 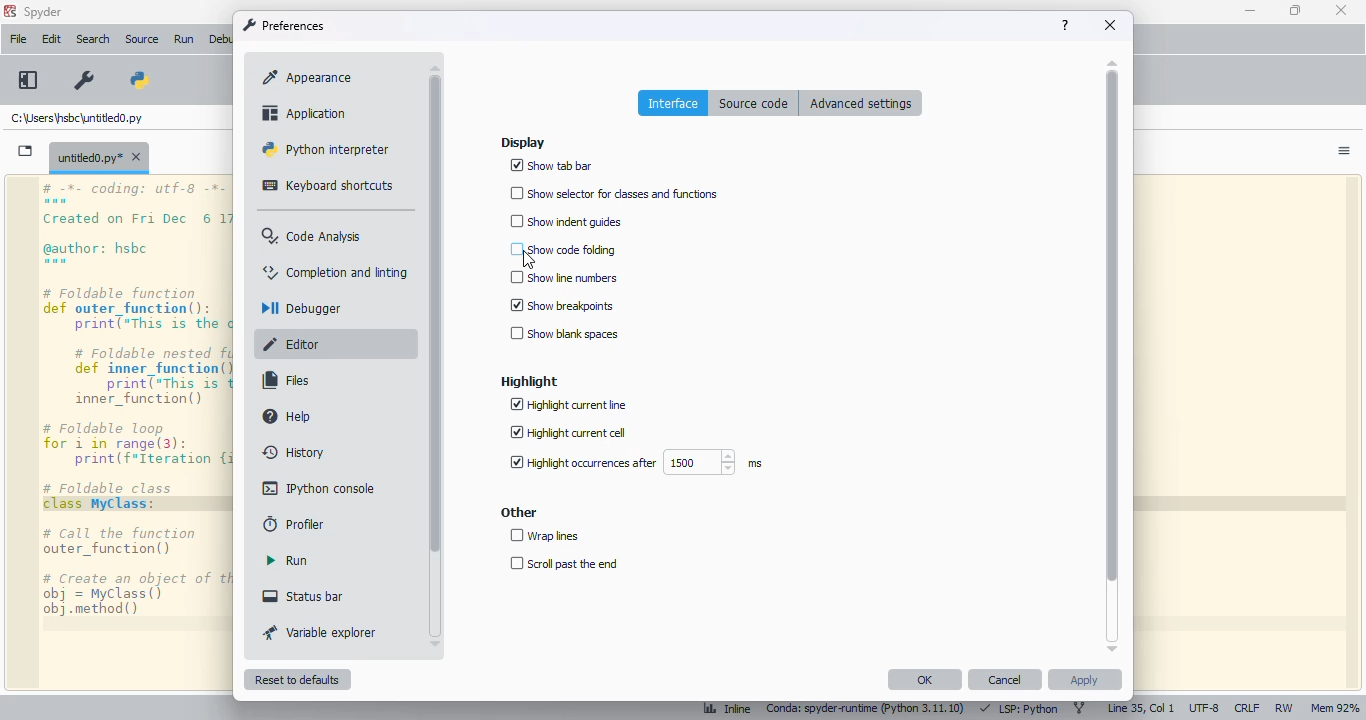 I want to click on wrap lines, so click(x=546, y=535).